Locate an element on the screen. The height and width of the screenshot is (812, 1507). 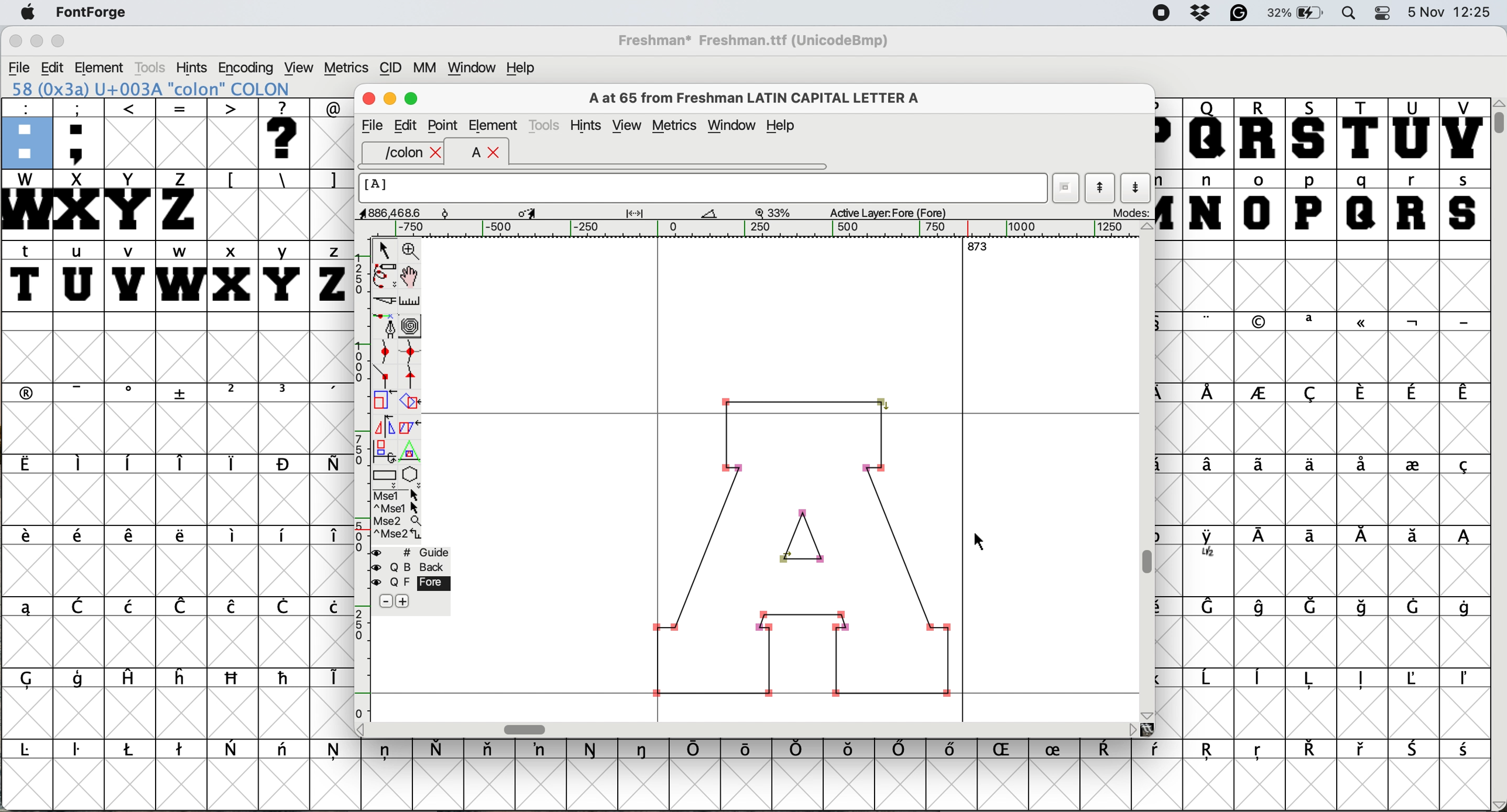
help is located at coordinates (783, 127).